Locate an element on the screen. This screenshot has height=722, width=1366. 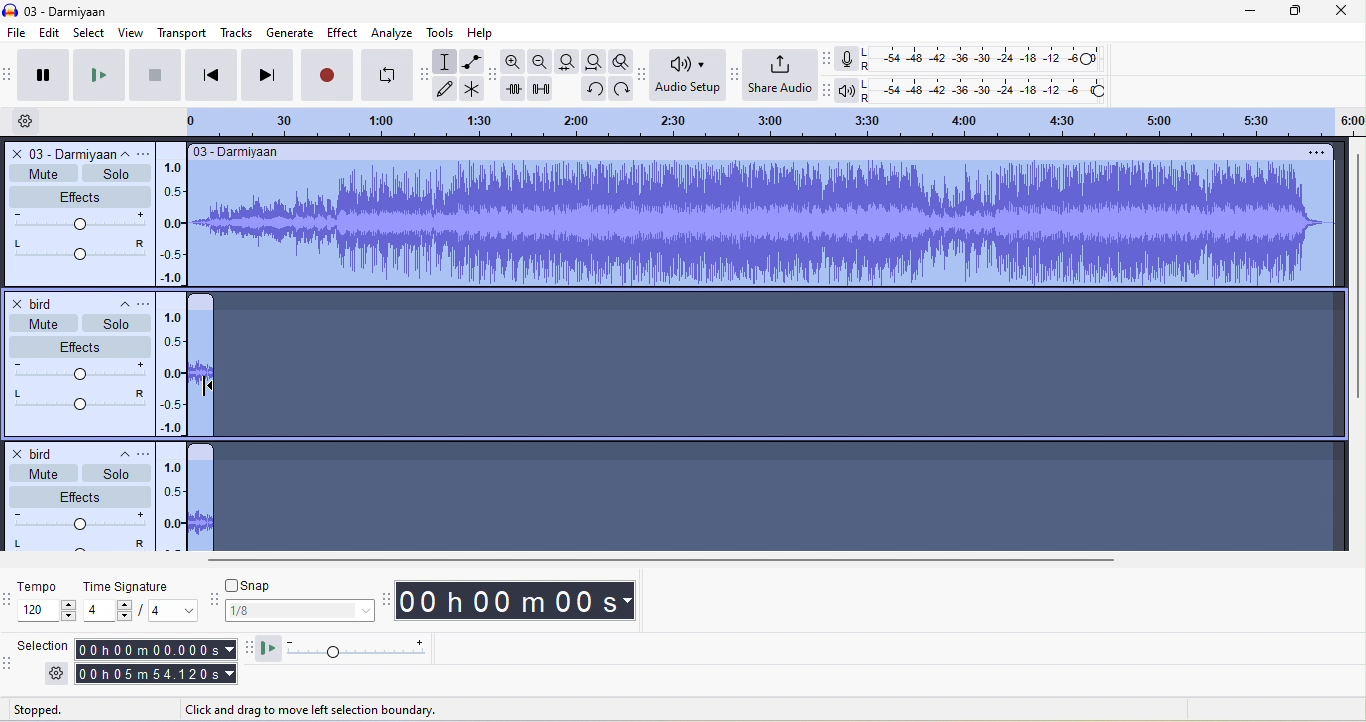
value is located at coordinates (109, 612).